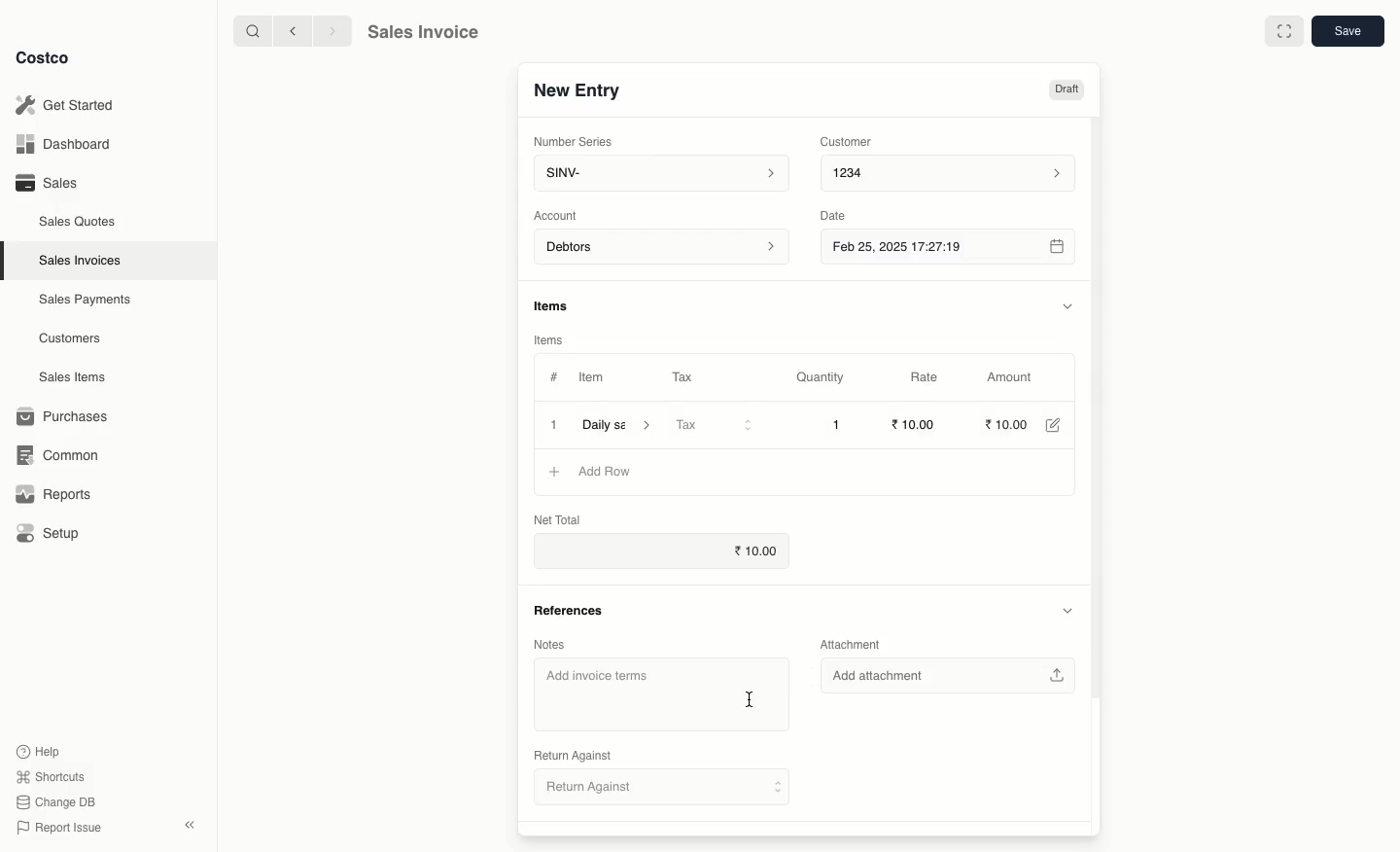  What do you see at coordinates (825, 378) in the screenshot?
I see `Quantity` at bounding box center [825, 378].